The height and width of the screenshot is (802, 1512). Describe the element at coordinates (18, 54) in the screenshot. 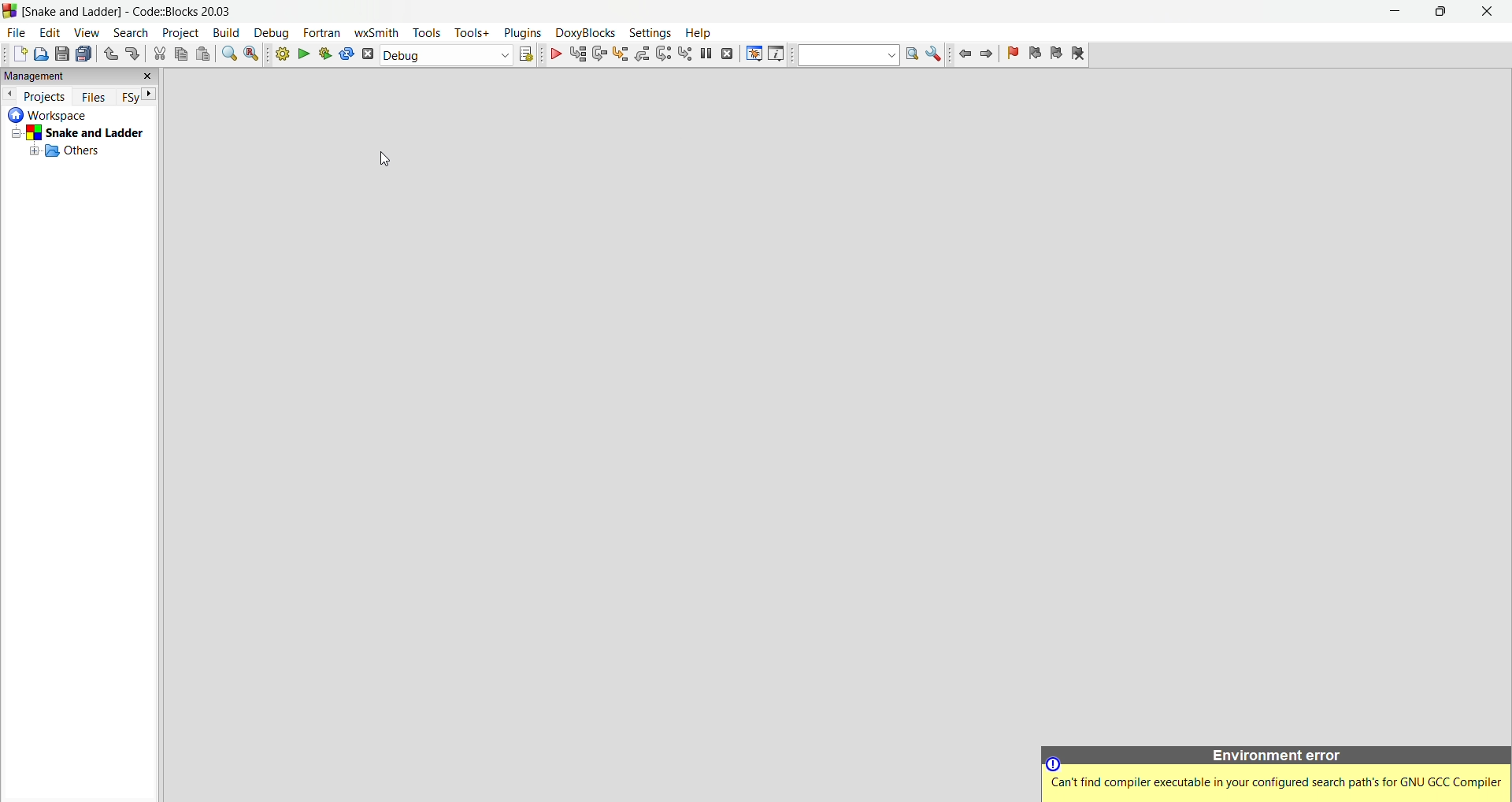

I see `add new` at that location.